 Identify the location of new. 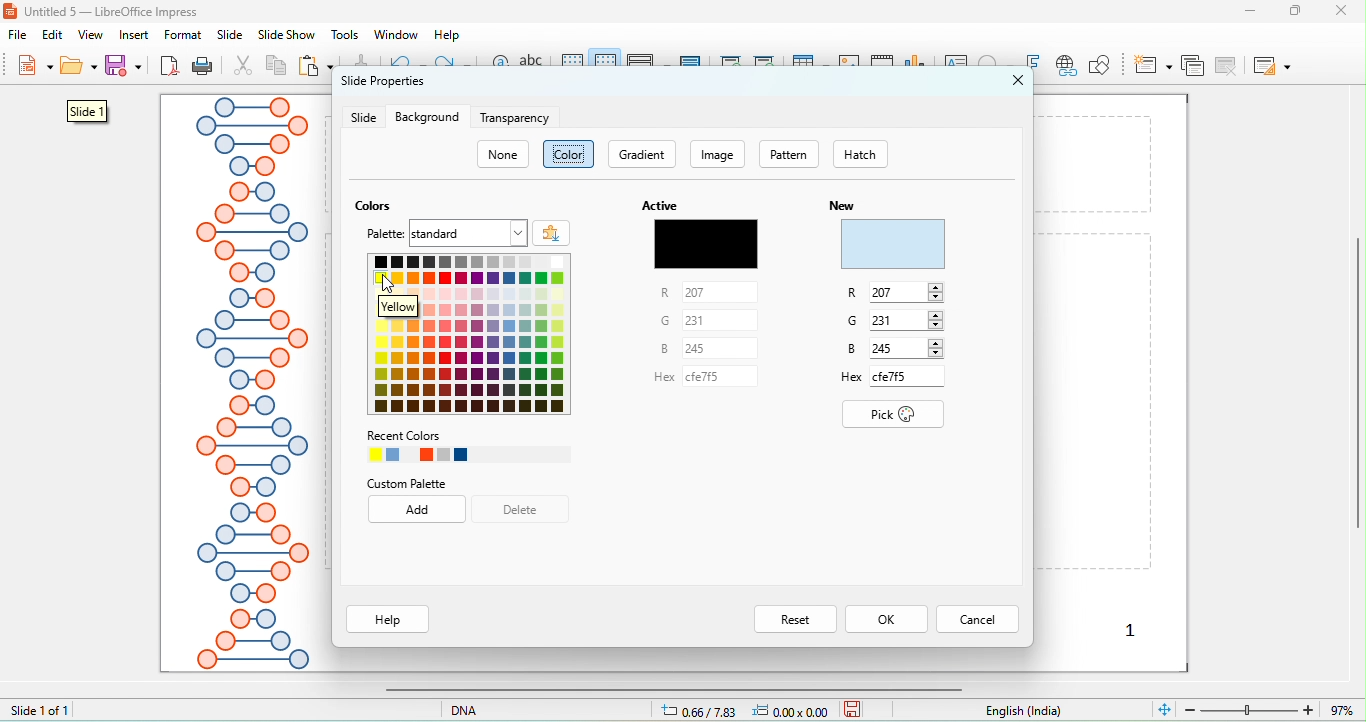
(33, 68).